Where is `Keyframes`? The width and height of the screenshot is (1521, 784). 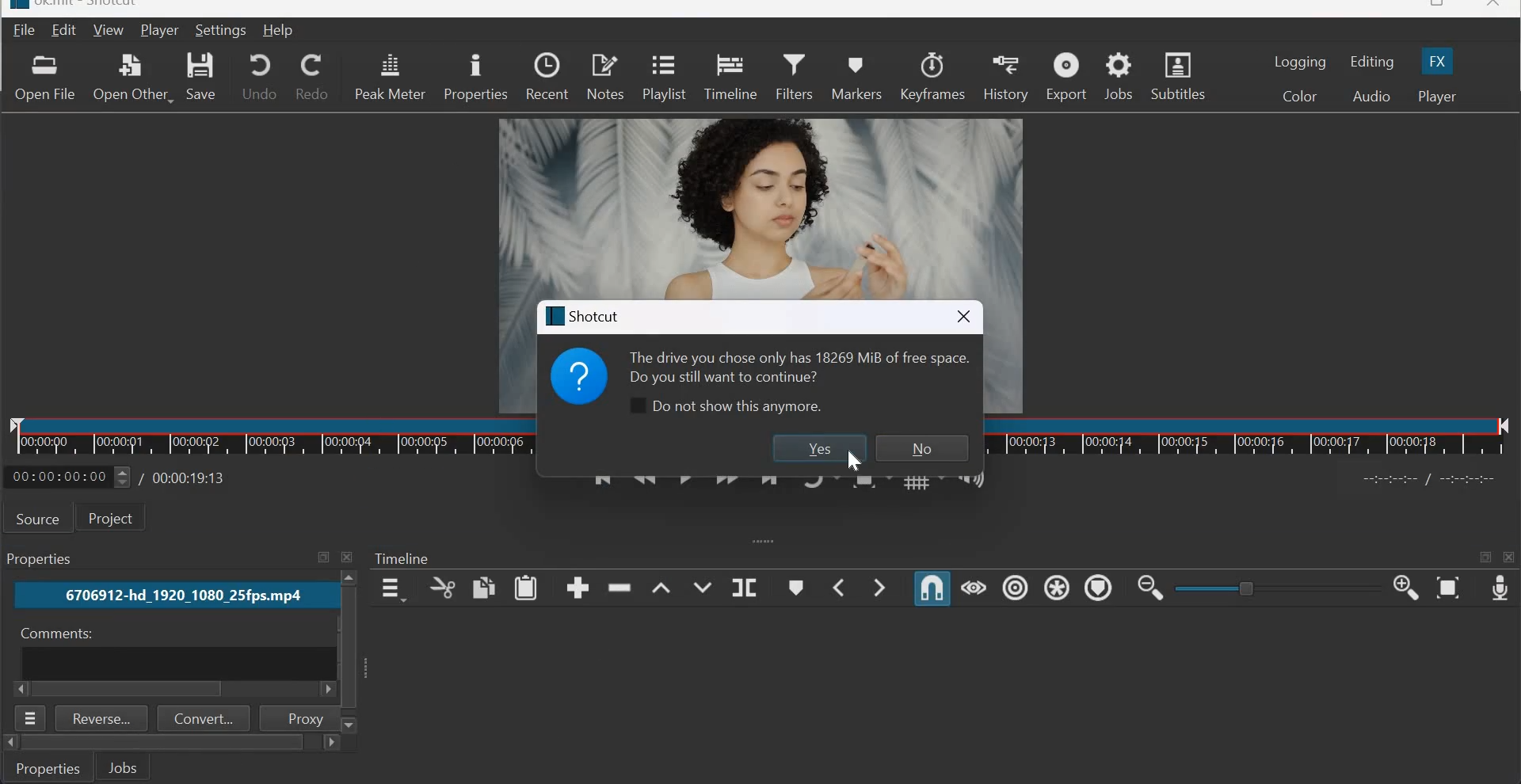 Keyframes is located at coordinates (933, 75).